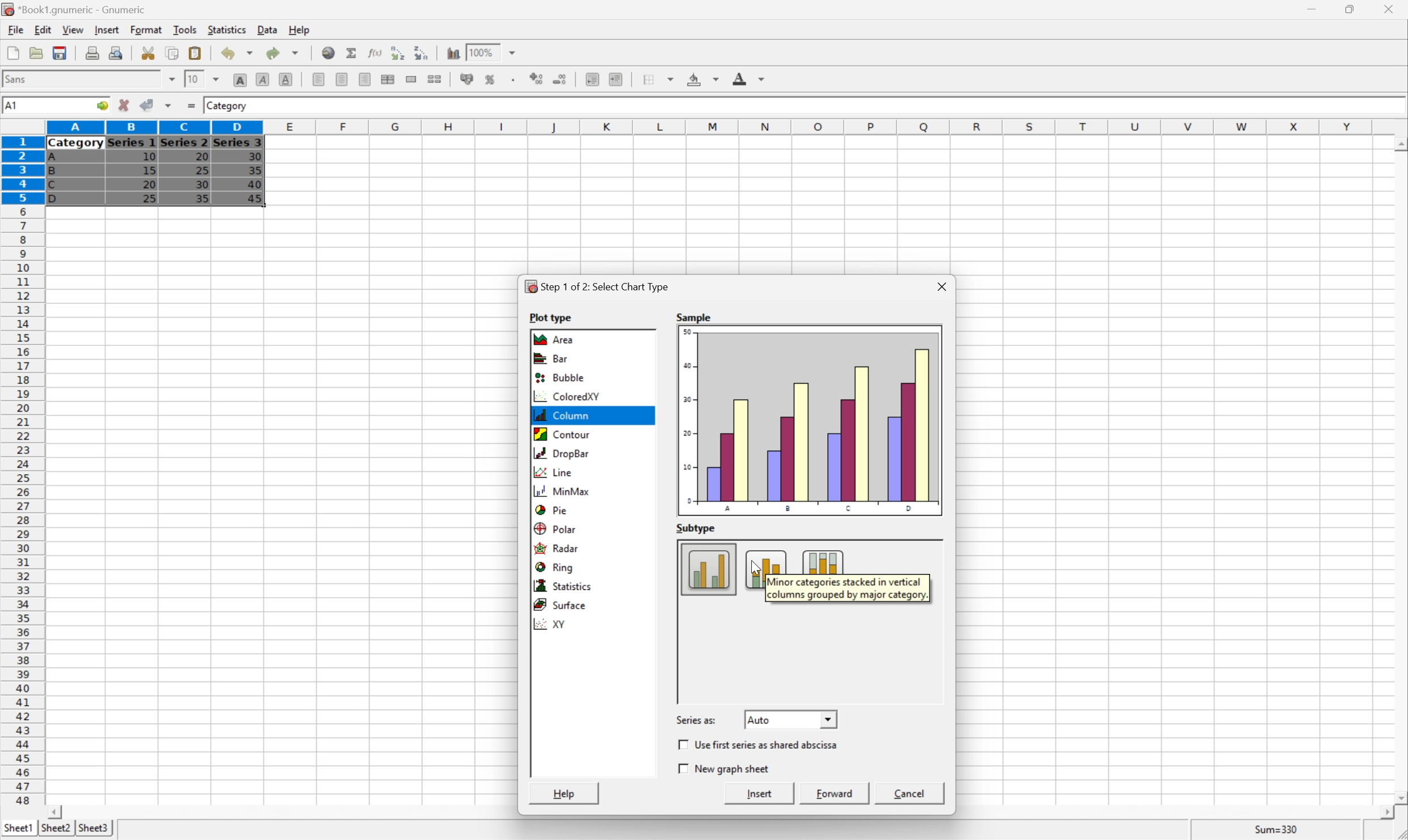 The height and width of the screenshot is (840, 1408). I want to click on Drop Down, so click(216, 80).